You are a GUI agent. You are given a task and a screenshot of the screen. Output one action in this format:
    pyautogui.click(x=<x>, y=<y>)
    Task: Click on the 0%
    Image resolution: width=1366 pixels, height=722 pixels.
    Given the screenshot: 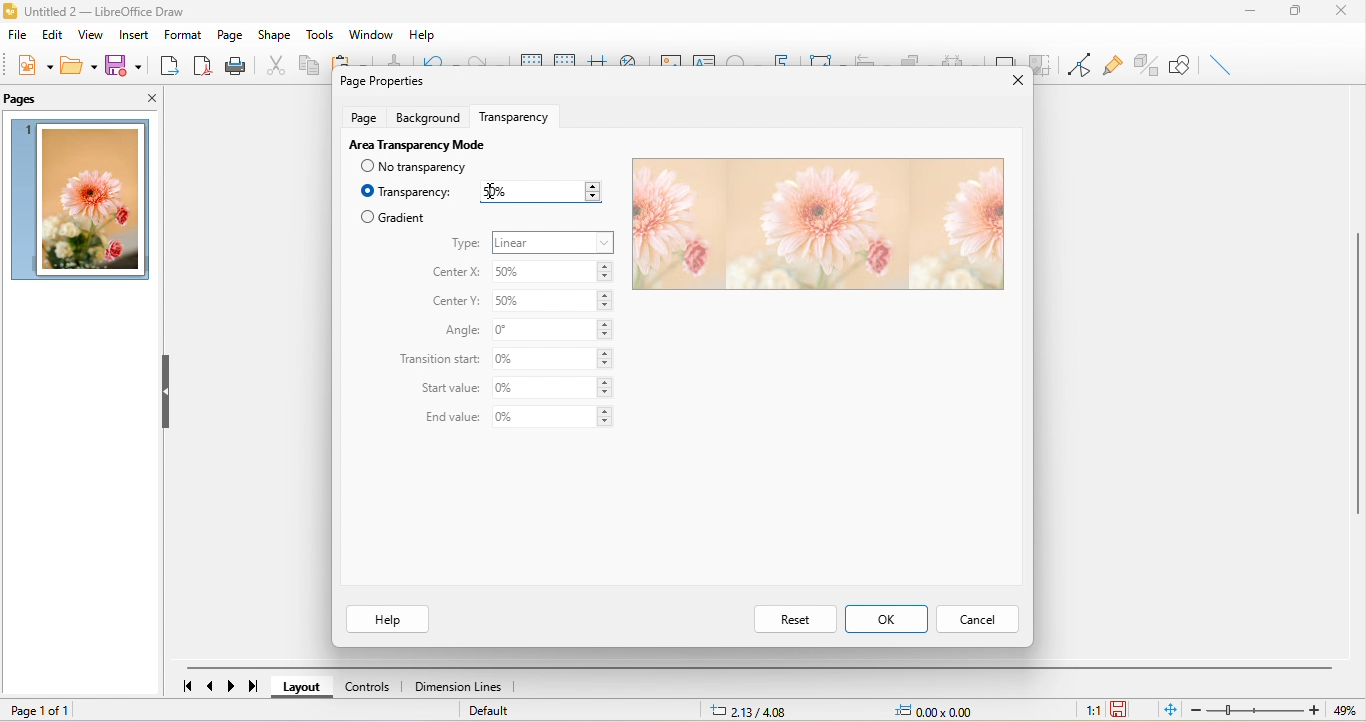 What is the action you would take?
    pyautogui.click(x=553, y=388)
    